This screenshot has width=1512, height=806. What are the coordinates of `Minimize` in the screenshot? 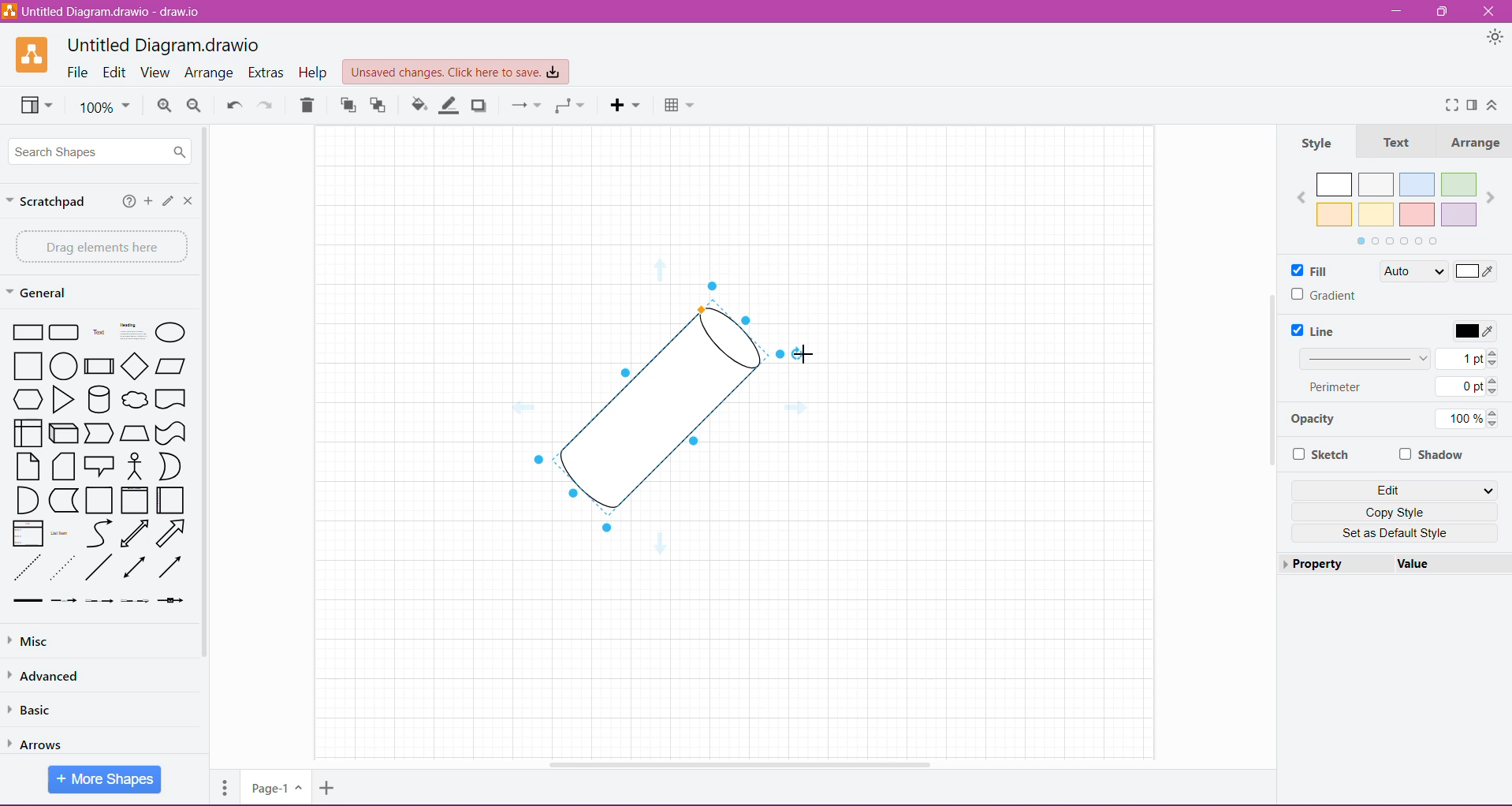 It's located at (1398, 11).